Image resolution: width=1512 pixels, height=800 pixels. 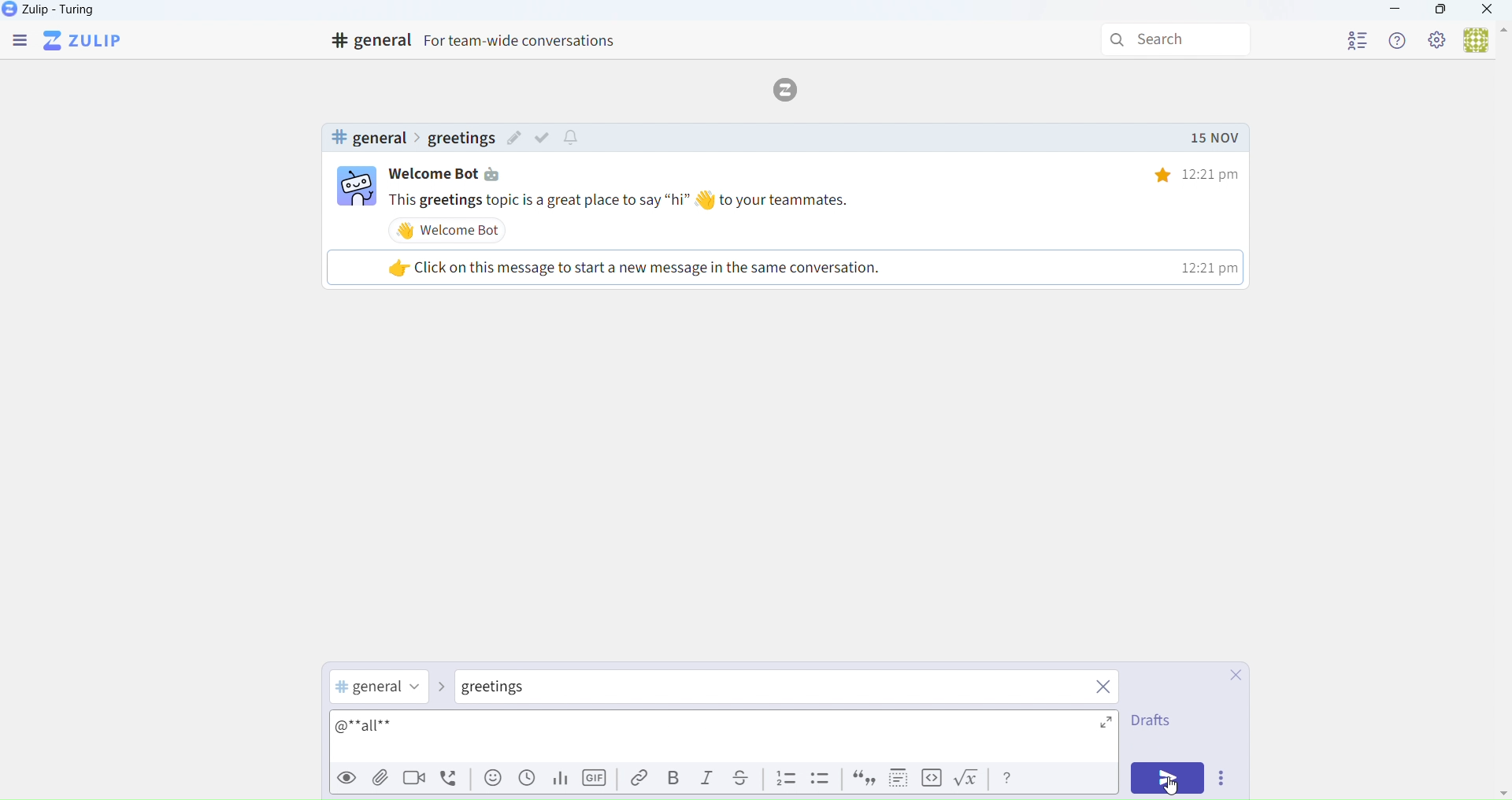 What do you see at coordinates (381, 780) in the screenshot?
I see `Attachment` at bounding box center [381, 780].